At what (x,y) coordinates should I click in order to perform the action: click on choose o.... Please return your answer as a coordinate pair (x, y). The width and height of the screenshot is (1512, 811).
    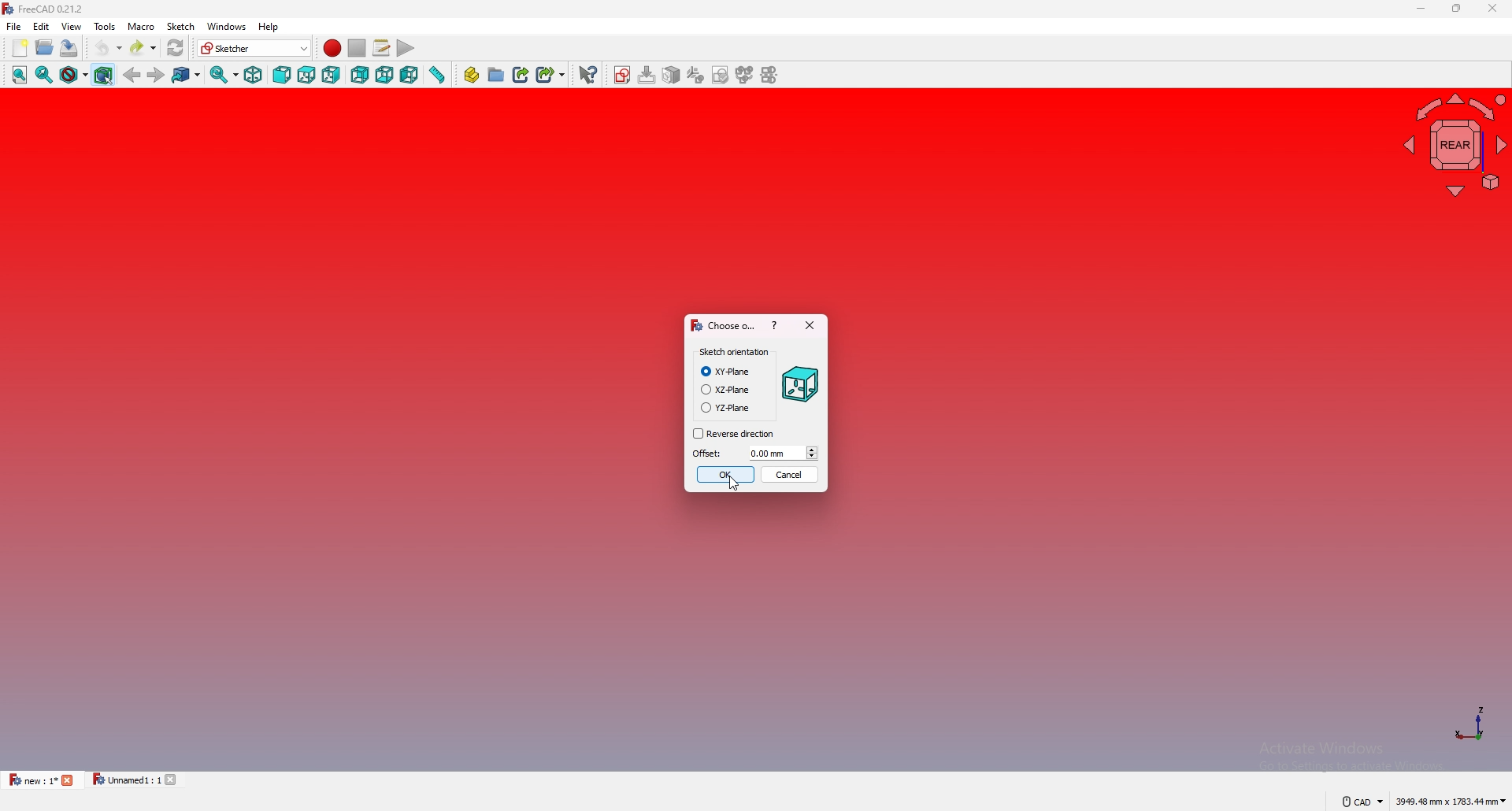
    Looking at the image, I should click on (724, 325).